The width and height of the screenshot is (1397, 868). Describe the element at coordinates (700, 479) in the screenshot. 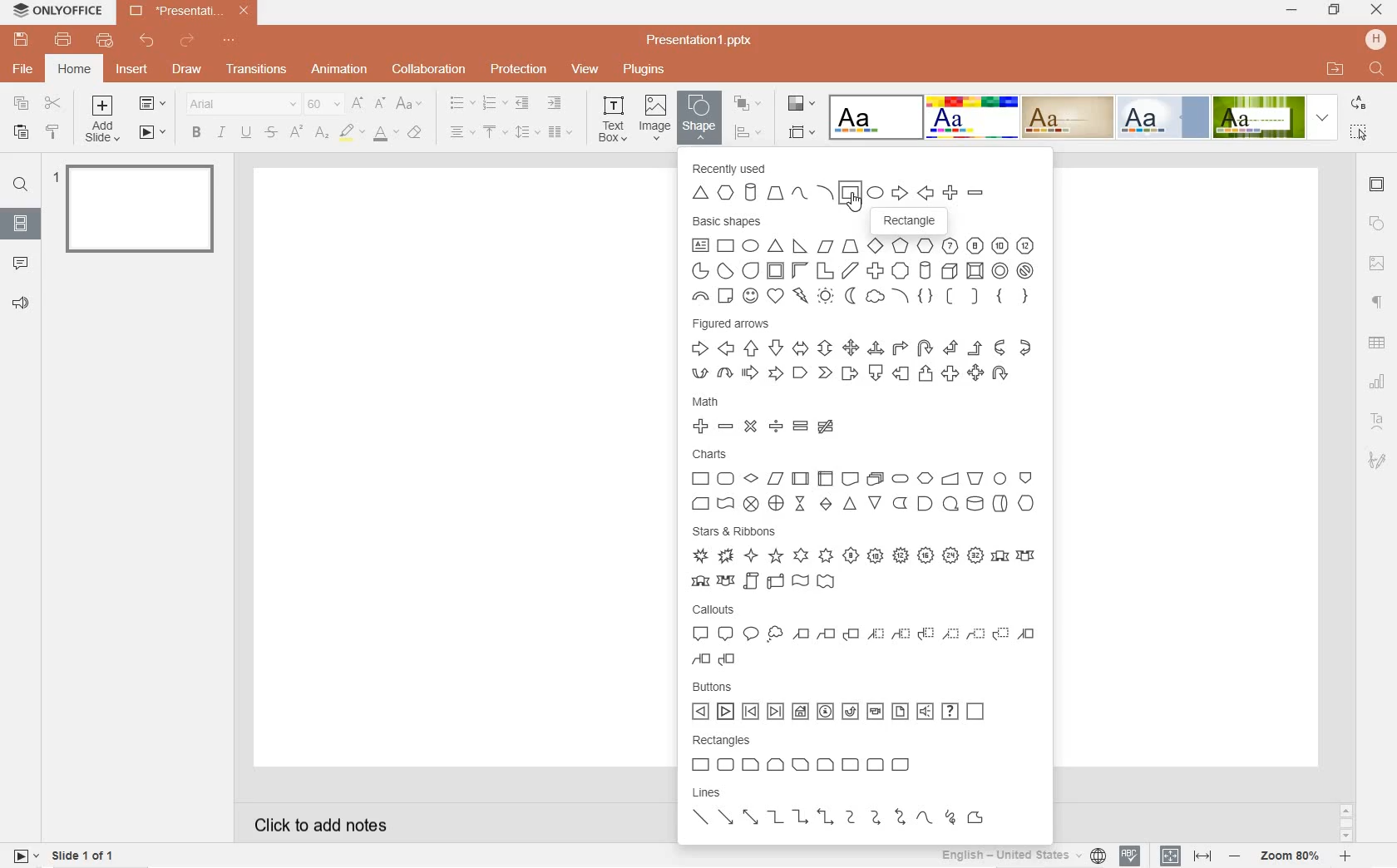

I see `Process` at that location.